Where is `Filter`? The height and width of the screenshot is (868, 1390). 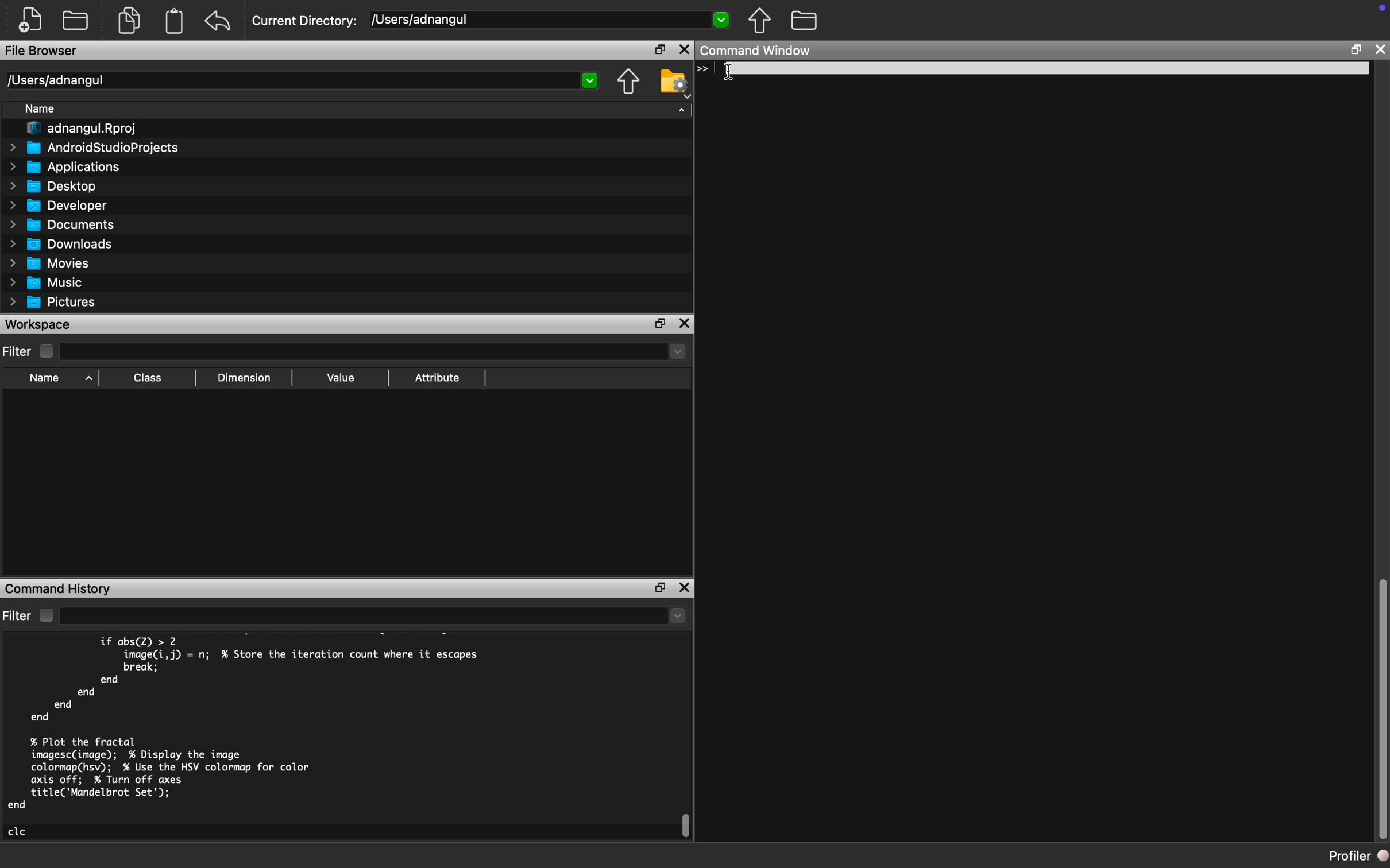 Filter is located at coordinates (17, 351).